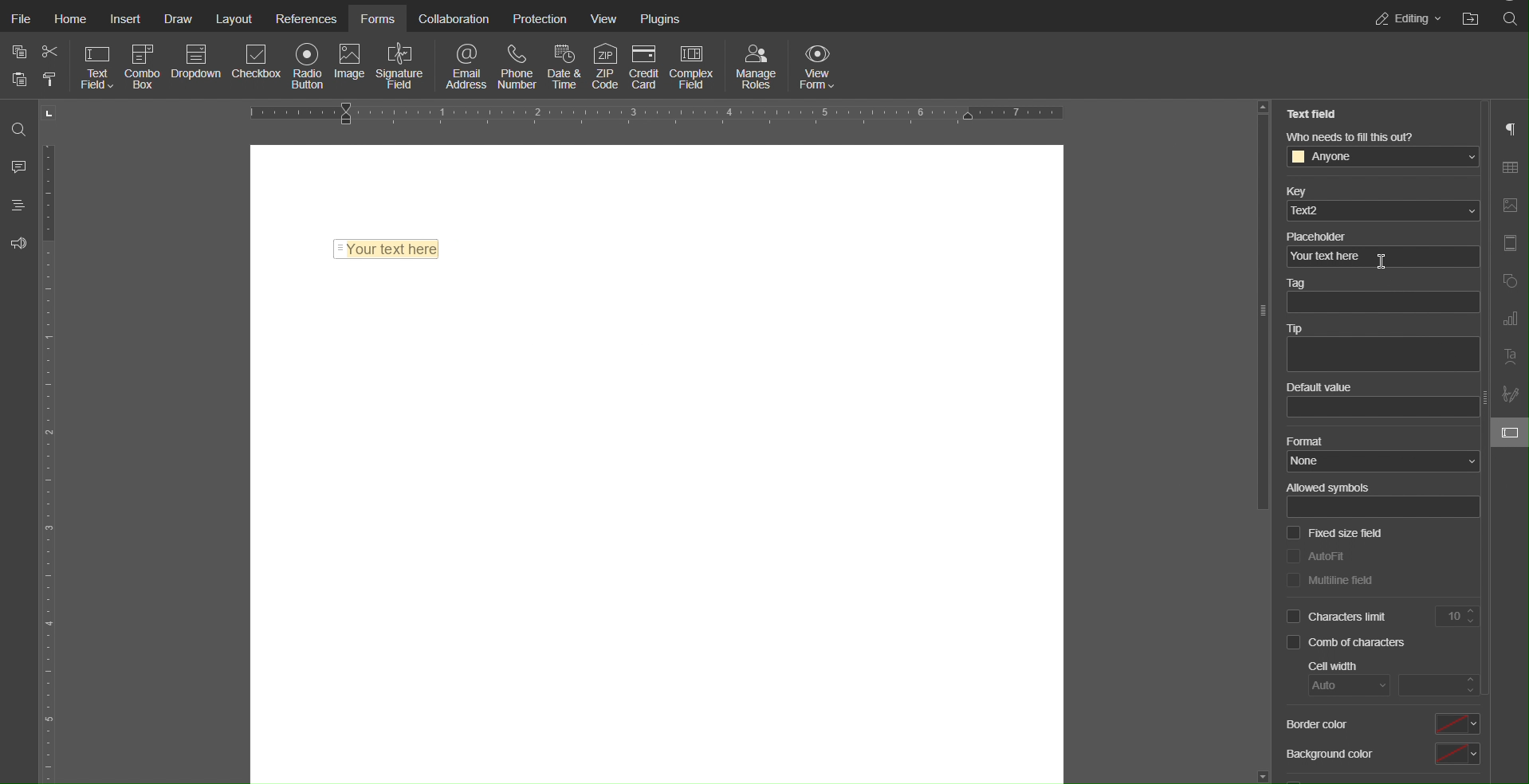  I want to click on Horizontal Ruler, so click(657, 115).